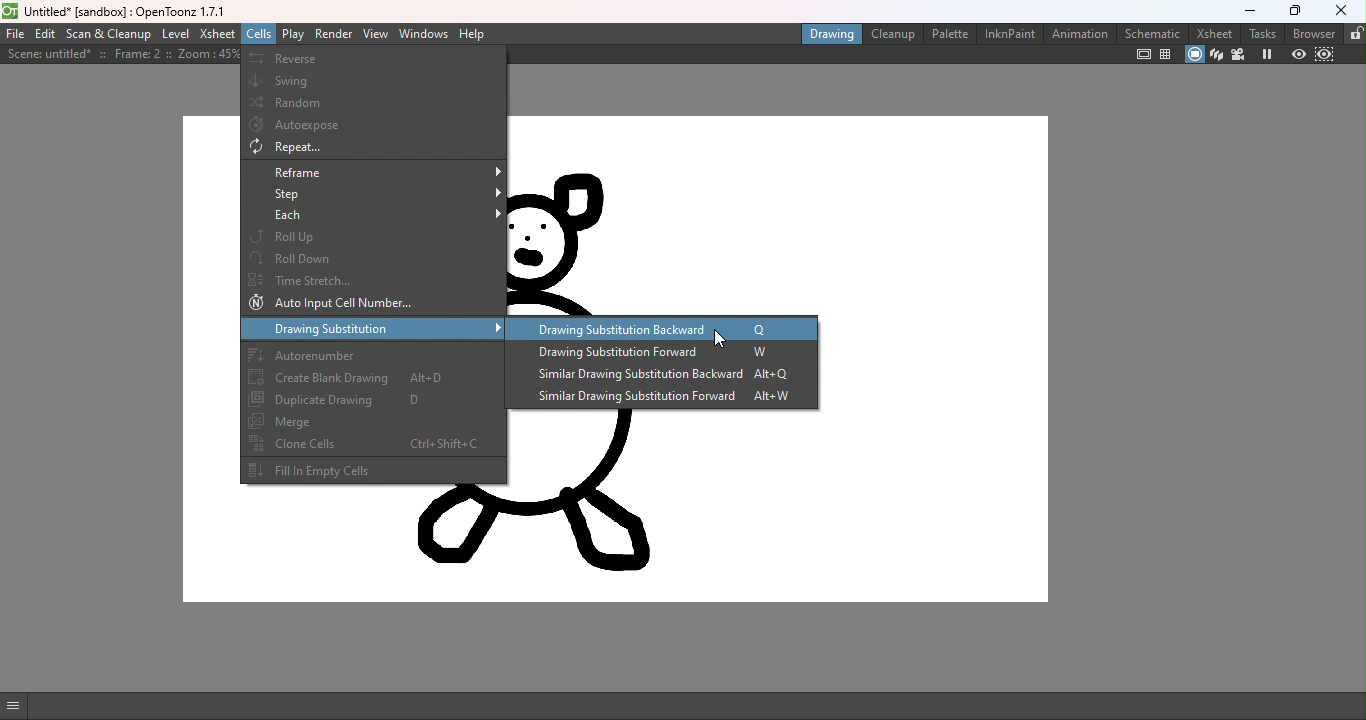 The image size is (1366, 720). What do you see at coordinates (126, 12) in the screenshot?
I see `Untitled” [sandbox] : OpenToonz 1.7.1` at bounding box center [126, 12].